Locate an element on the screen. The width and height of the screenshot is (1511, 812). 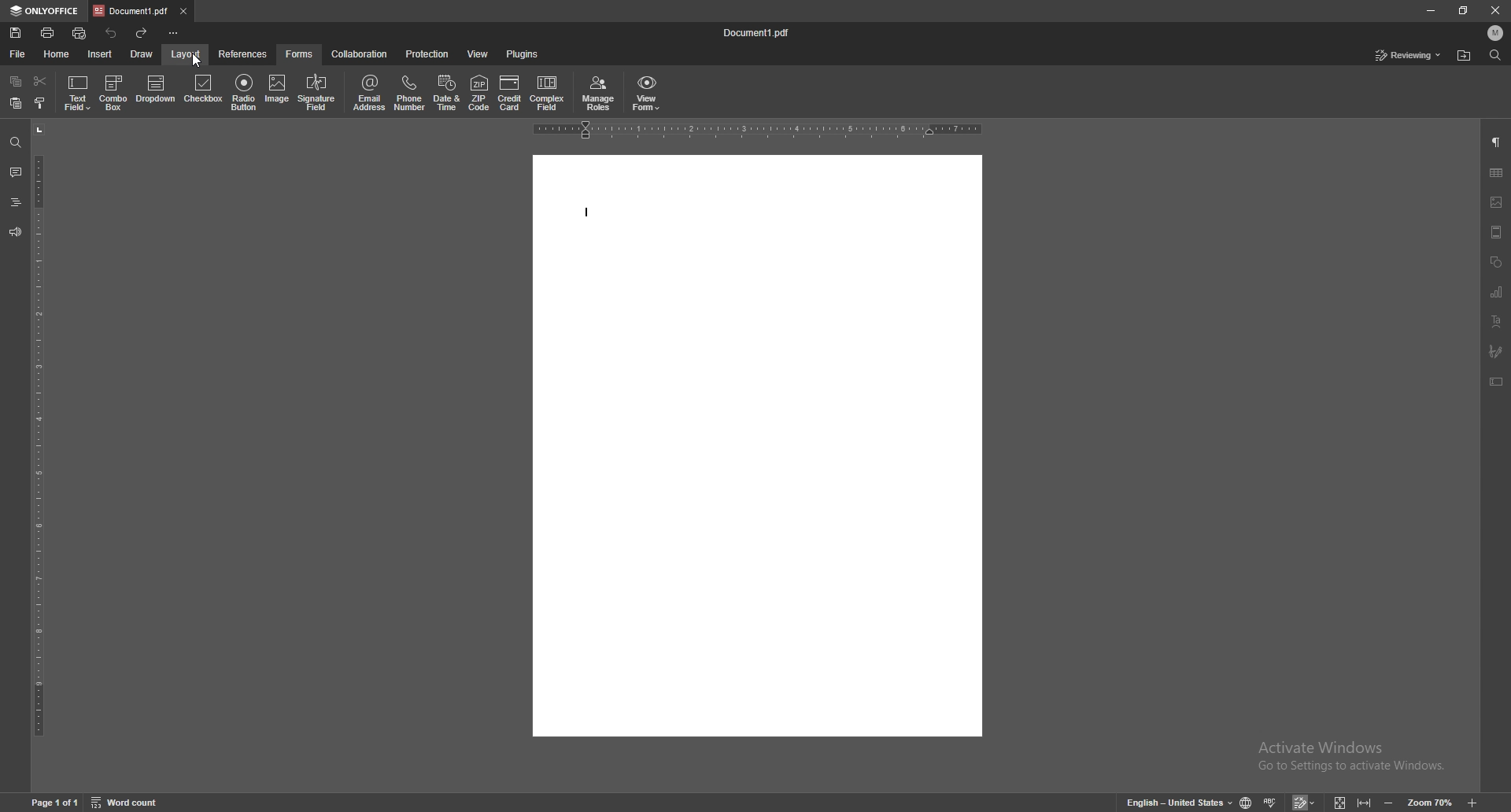
horizontal scale is located at coordinates (759, 129).